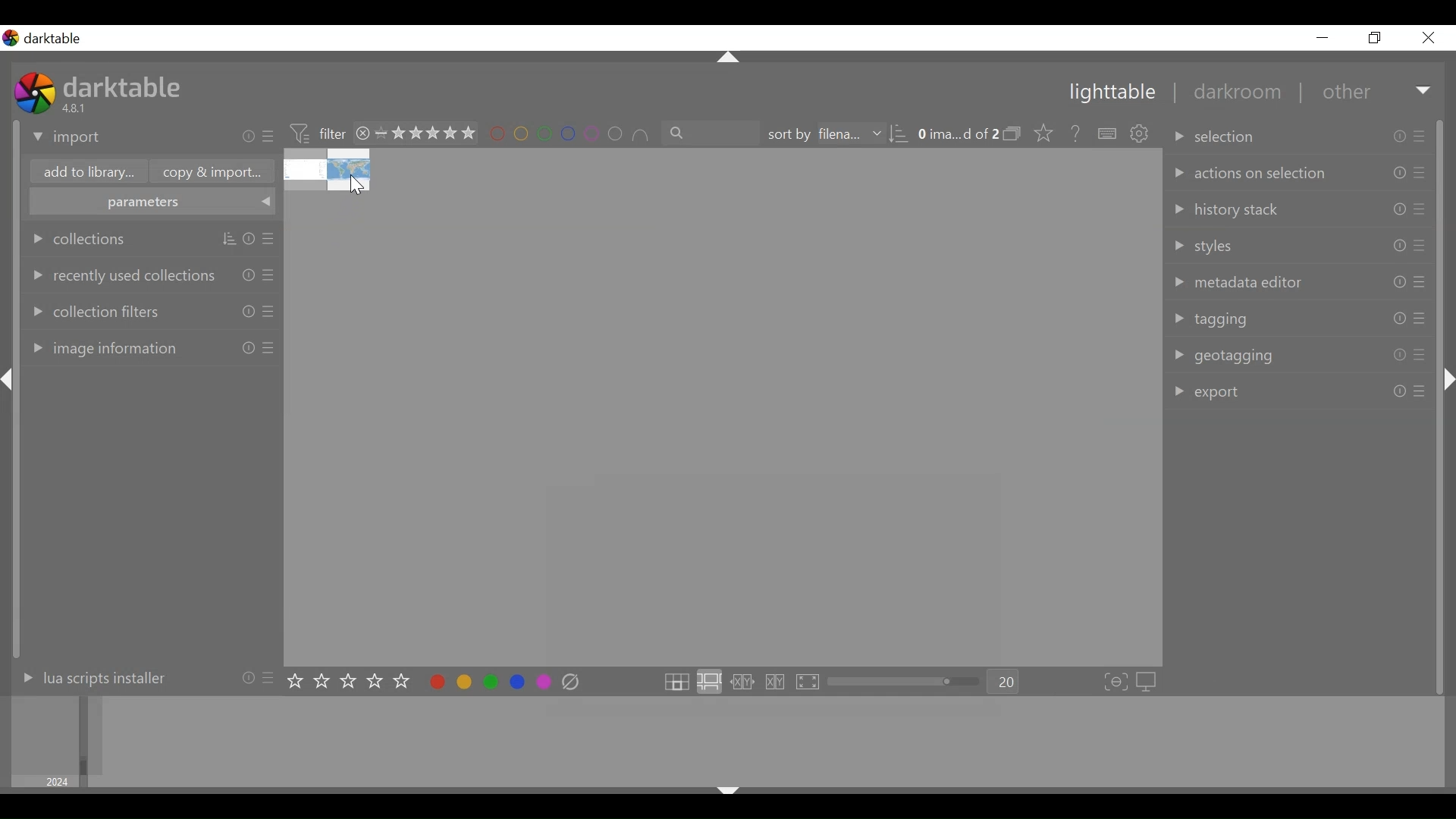 The width and height of the screenshot is (1456, 819). I want to click on image thumbnail, so click(723, 407).